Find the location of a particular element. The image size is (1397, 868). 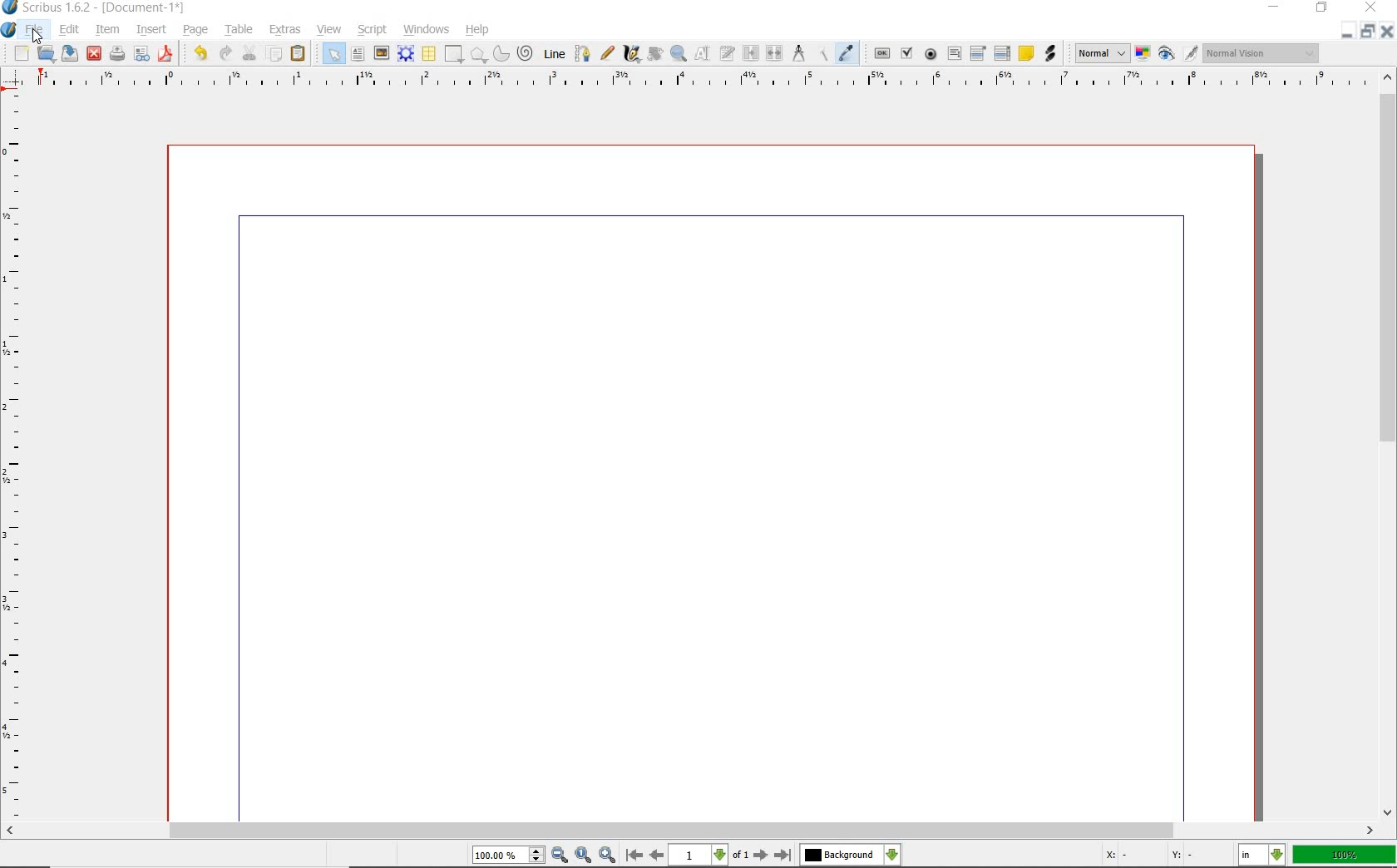

link annotation is located at coordinates (1050, 52).